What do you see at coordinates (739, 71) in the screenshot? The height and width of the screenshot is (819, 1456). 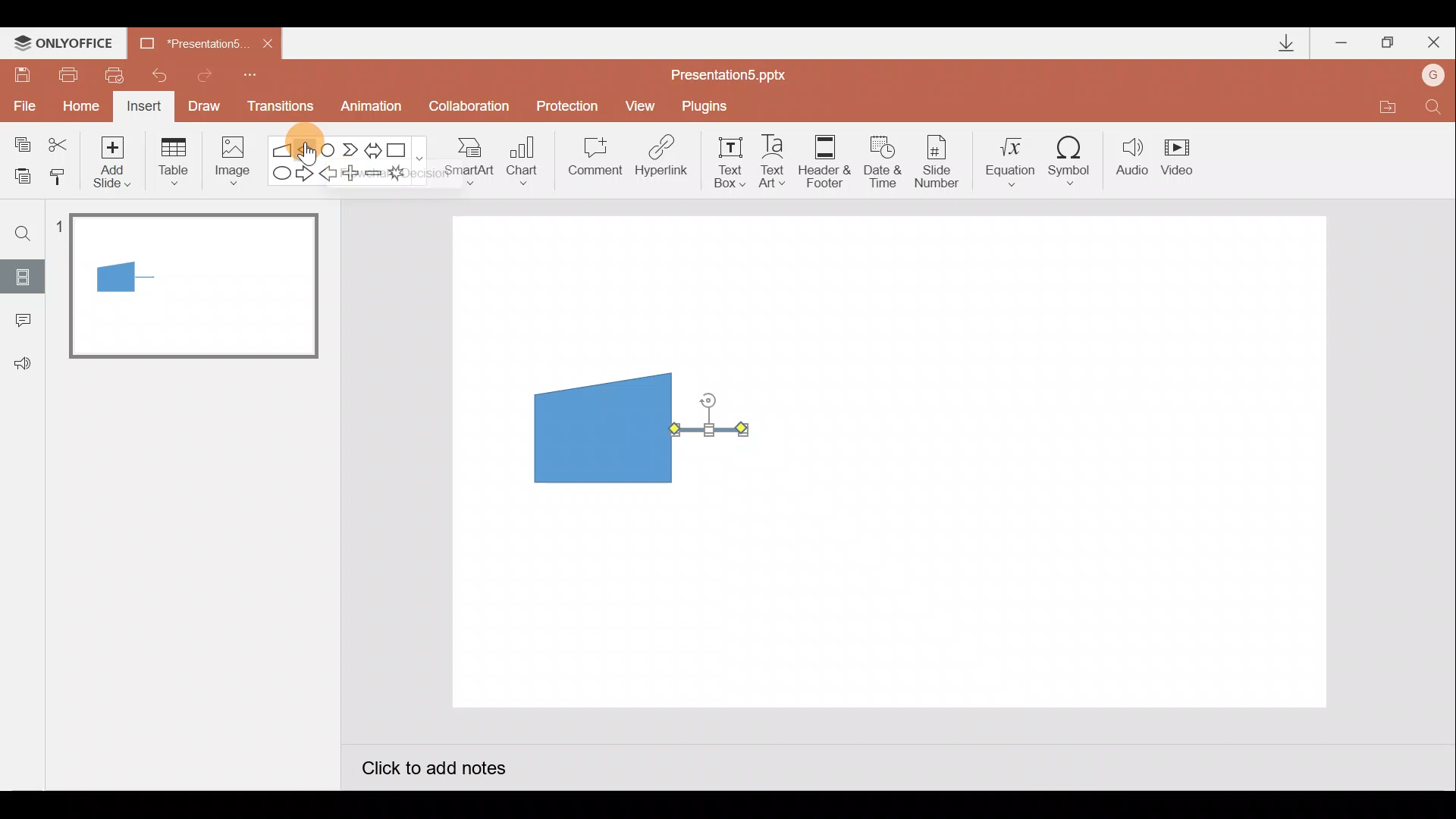 I see `Presentation5.pptx` at bounding box center [739, 71].